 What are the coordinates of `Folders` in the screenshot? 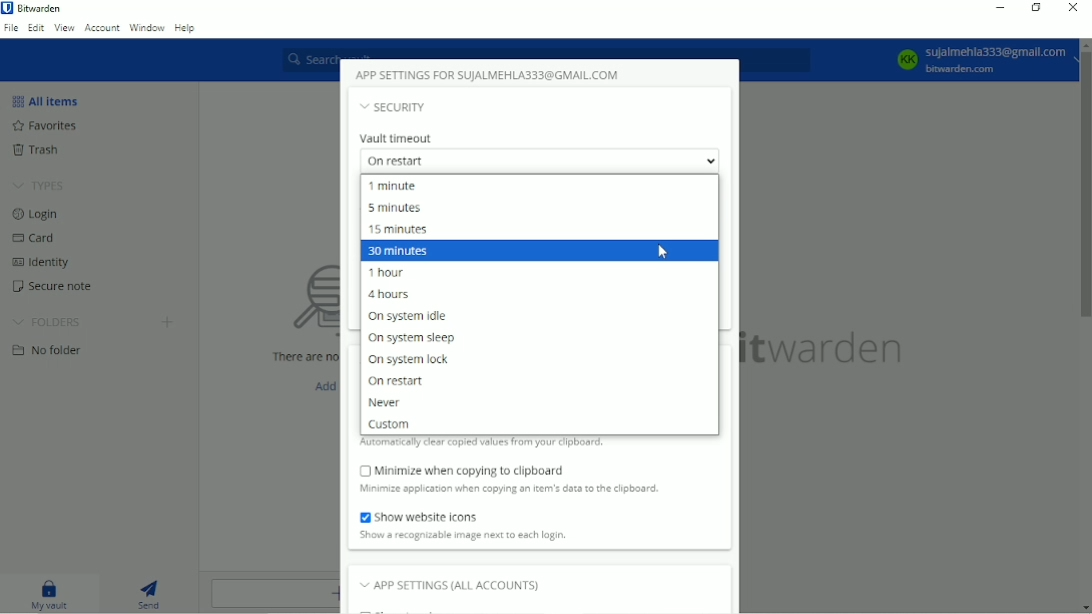 It's located at (49, 319).